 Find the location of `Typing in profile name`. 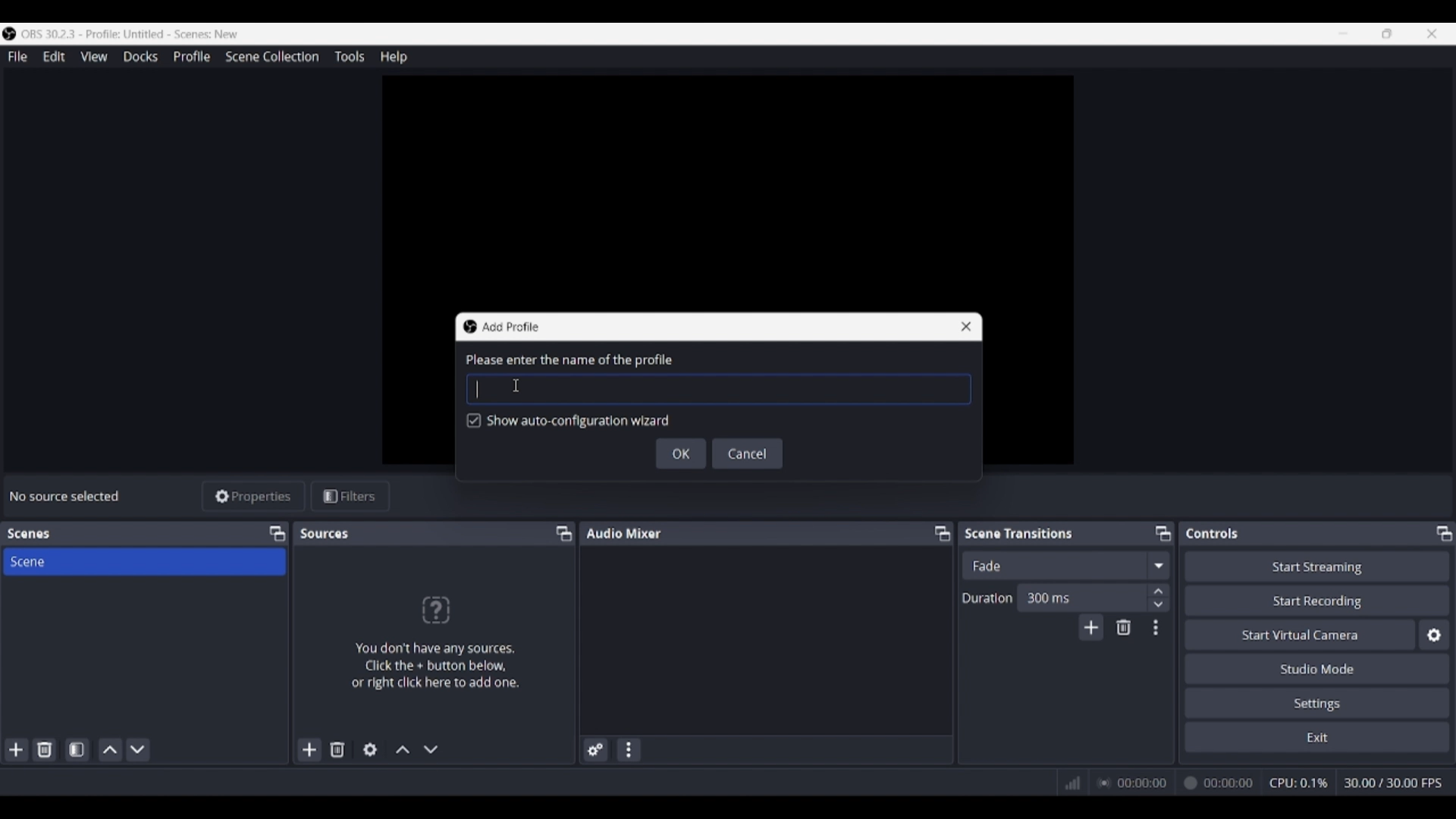

Typing in profile name is located at coordinates (477, 389).